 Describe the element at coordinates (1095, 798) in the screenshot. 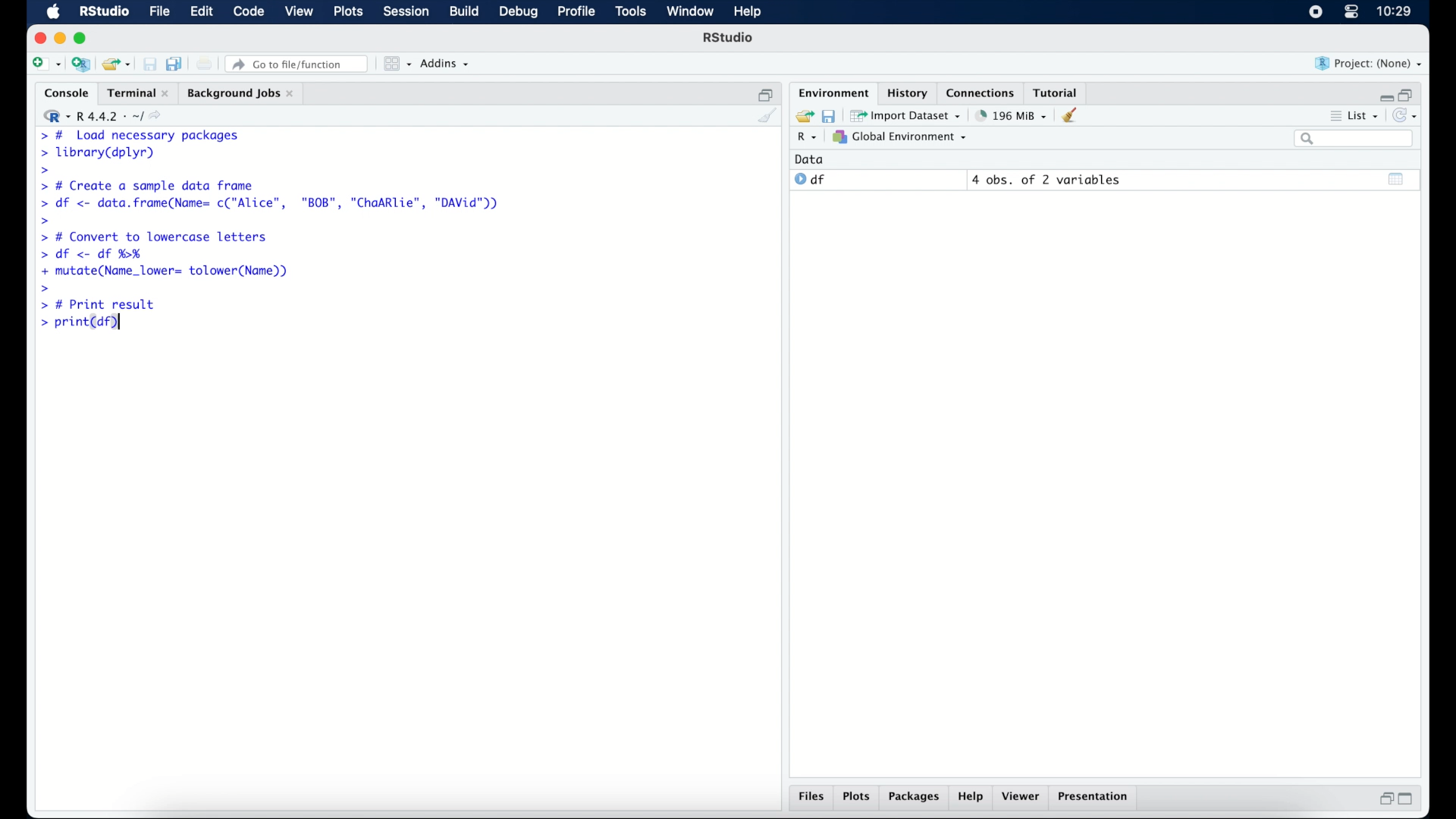

I see `presentation` at that location.